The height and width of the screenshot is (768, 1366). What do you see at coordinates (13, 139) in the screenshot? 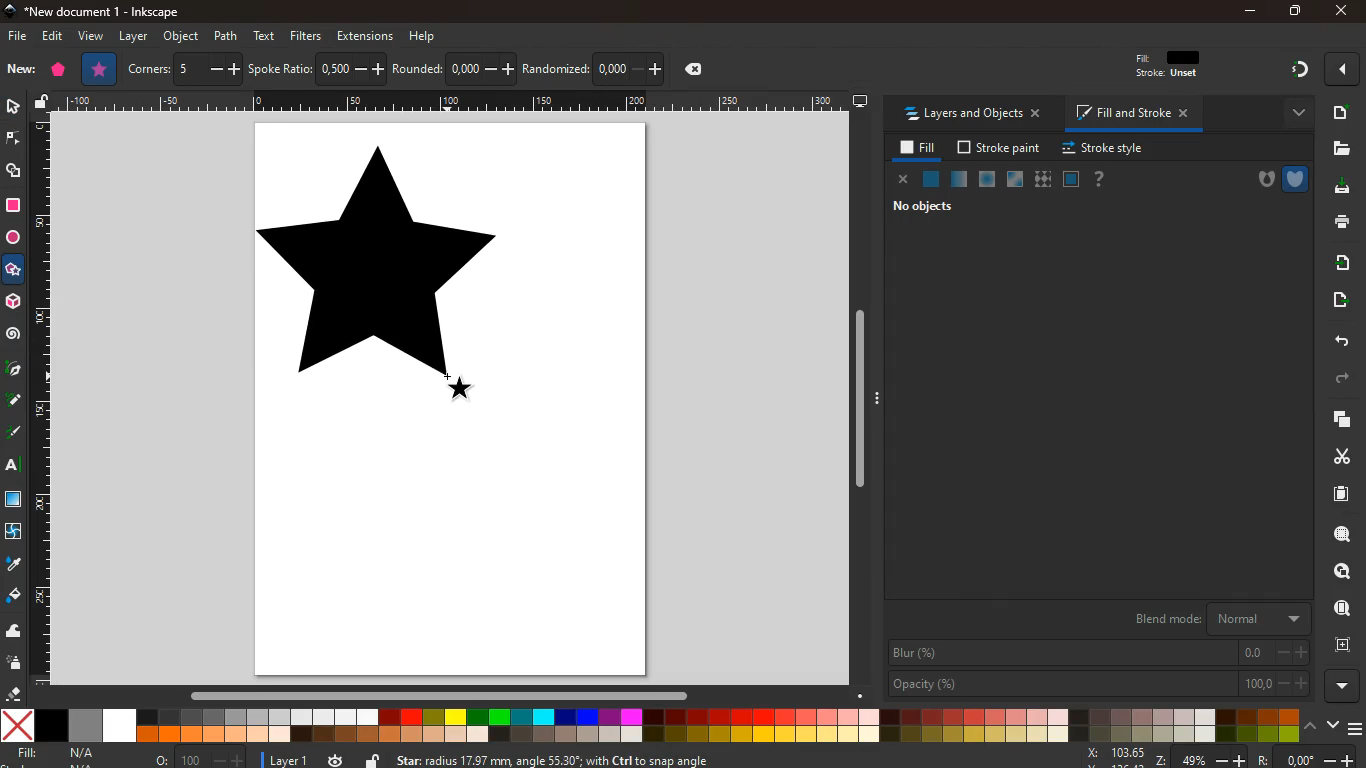
I see `edge` at bounding box center [13, 139].